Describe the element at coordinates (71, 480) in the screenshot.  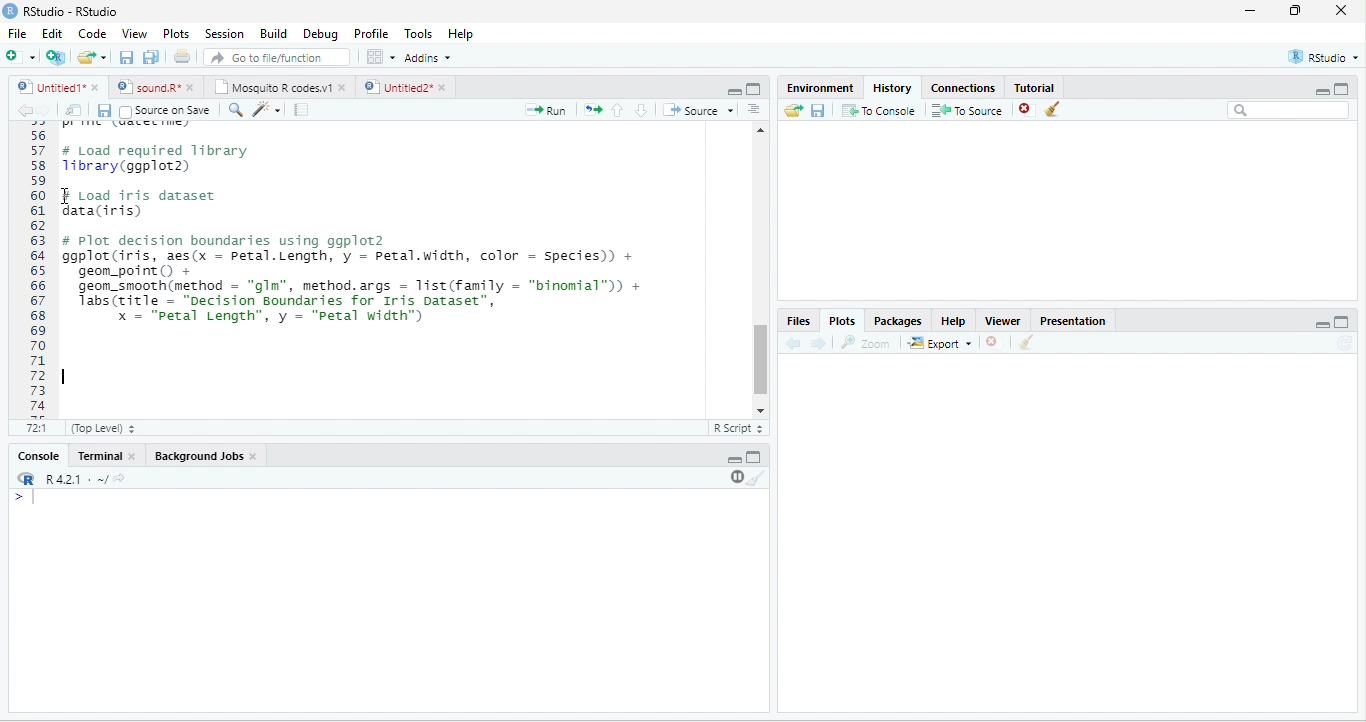
I see `R.4.2.1 .~/` at that location.